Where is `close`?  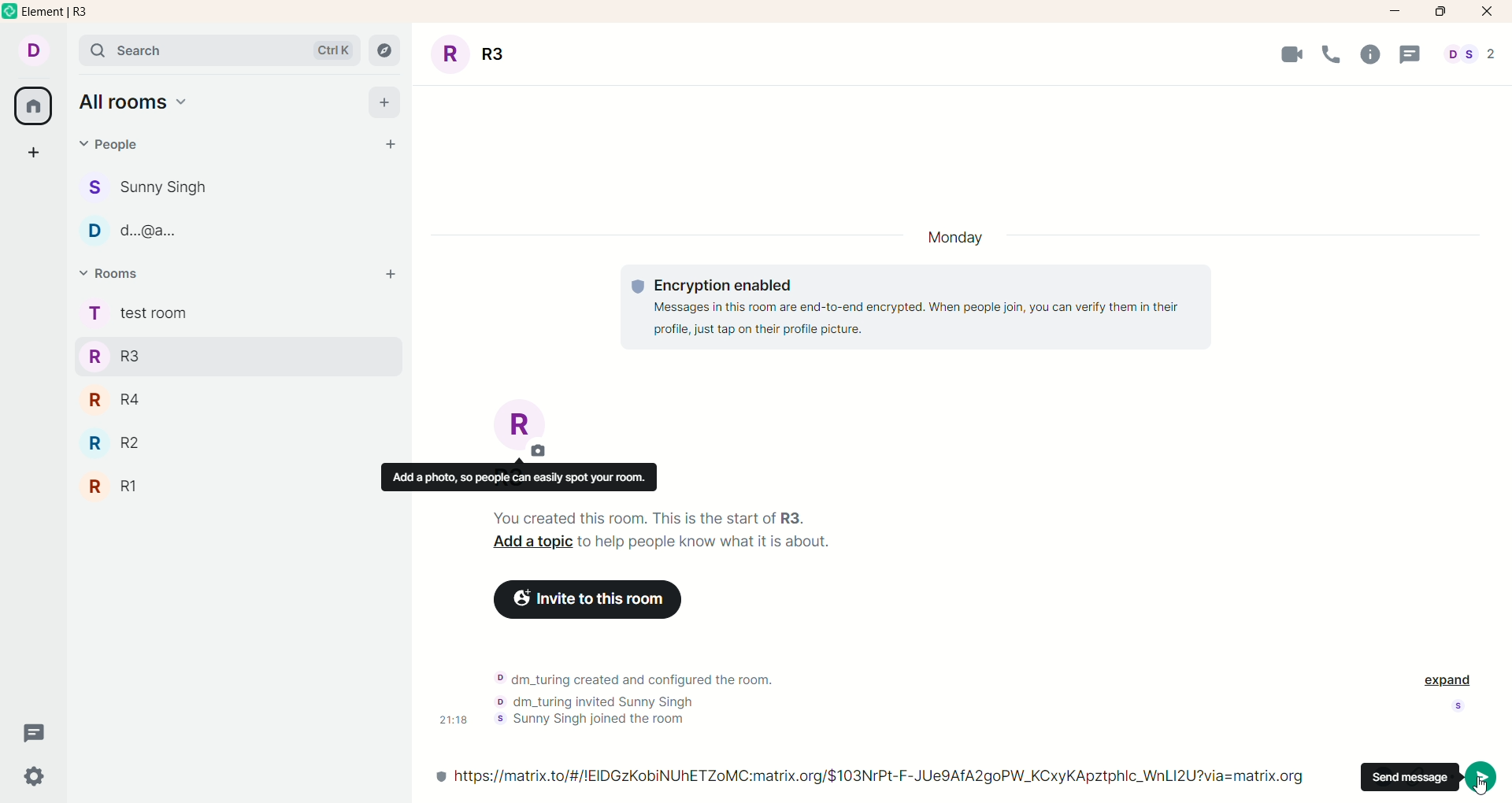 close is located at coordinates (1489, 12).